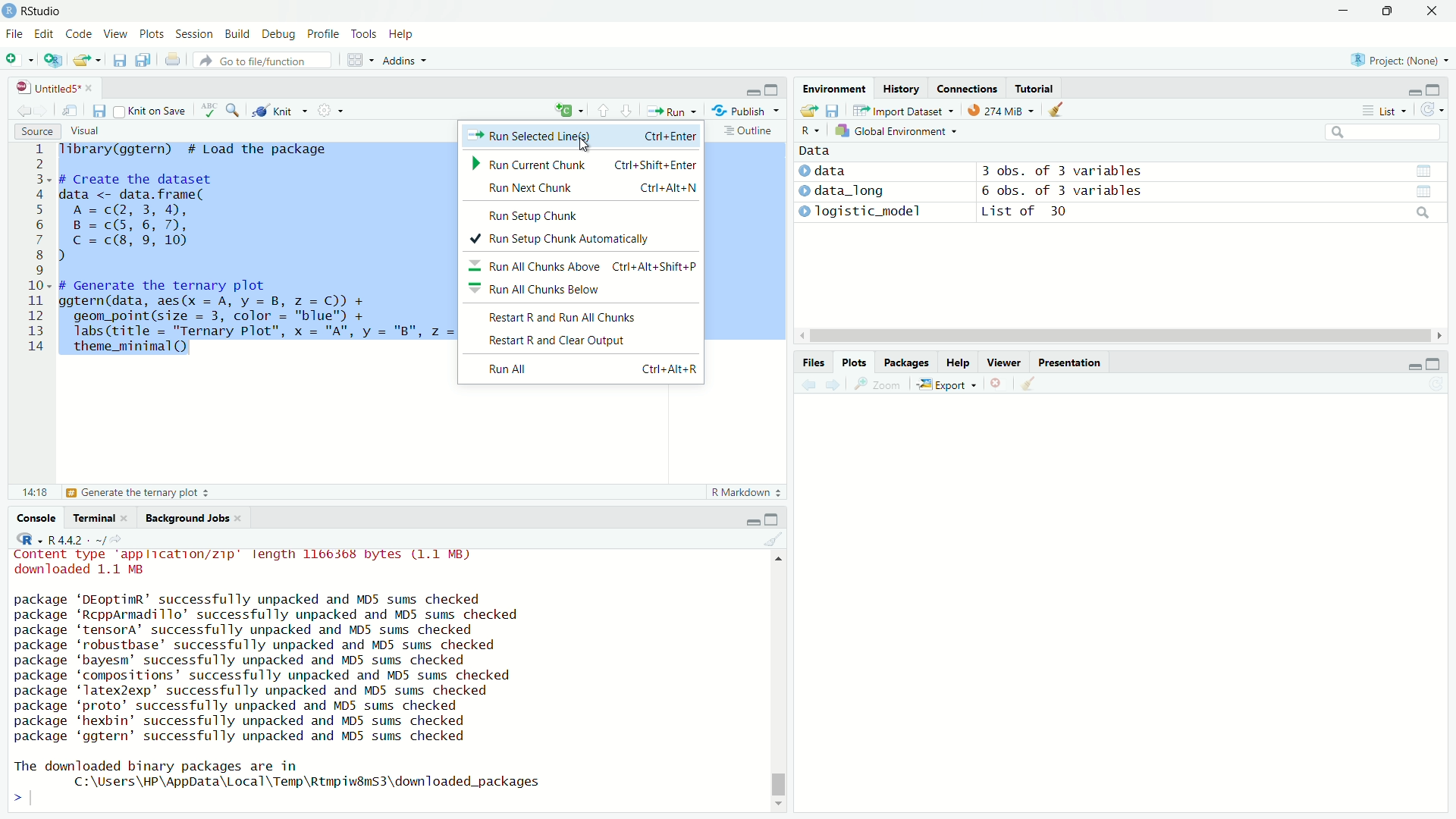  Describe the element at coordinates (16, 33) in the screenshot. I see `File` at that location.